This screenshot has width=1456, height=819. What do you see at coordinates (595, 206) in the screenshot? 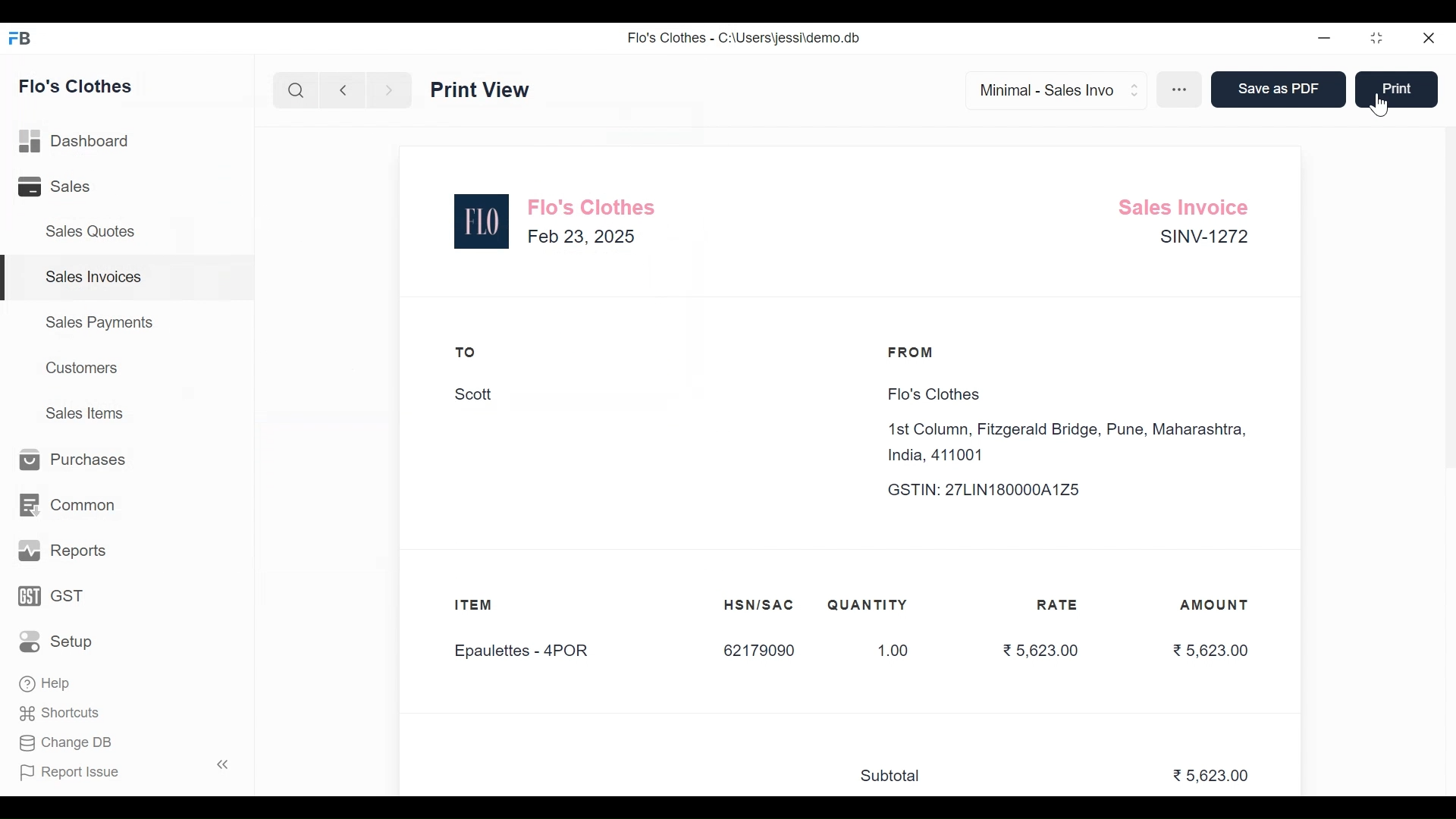
I see `Flo's Clothes` at bounding box center [595, 206].